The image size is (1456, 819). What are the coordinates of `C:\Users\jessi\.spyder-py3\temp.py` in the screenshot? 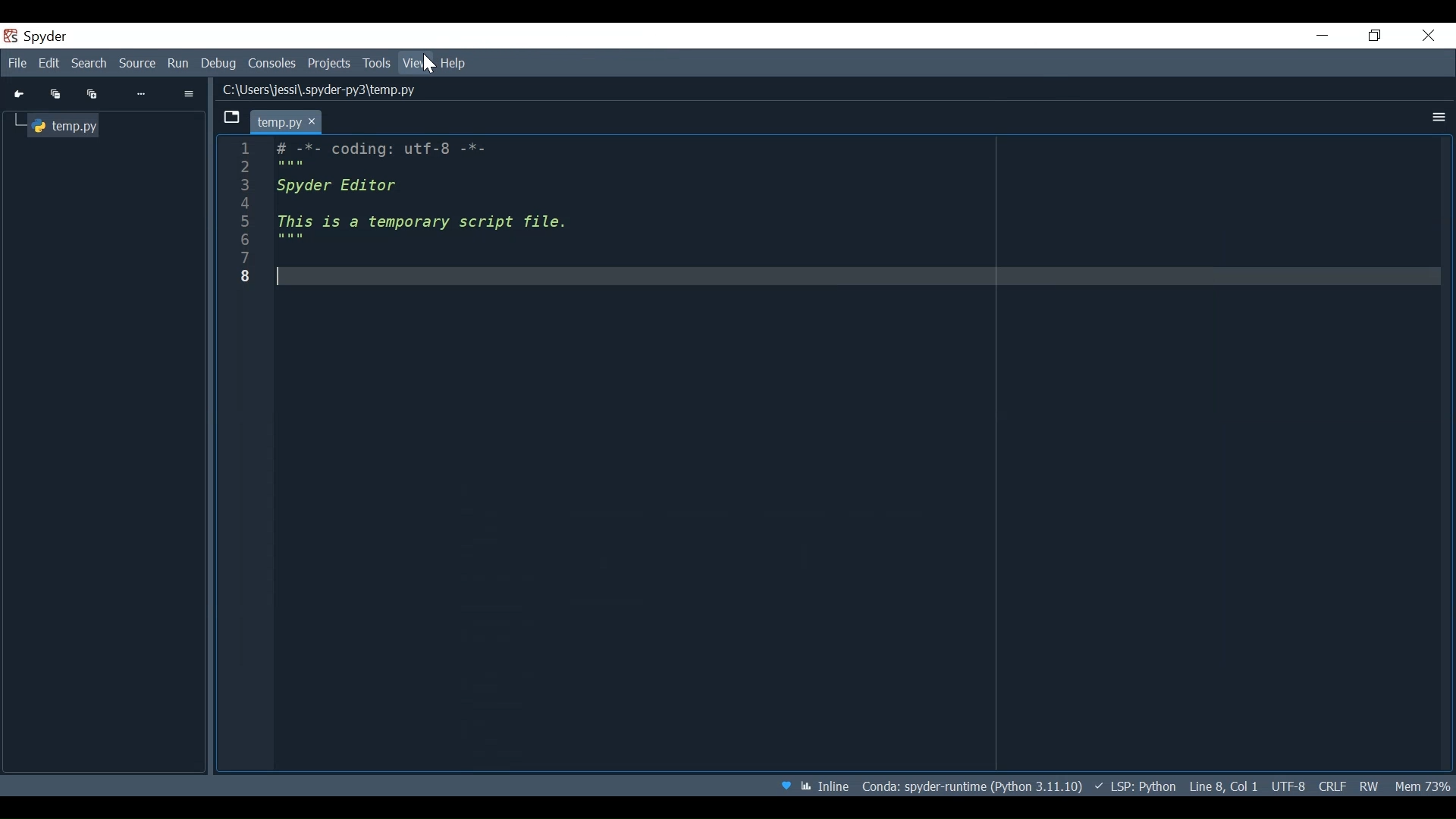 It's located at (336, 91).